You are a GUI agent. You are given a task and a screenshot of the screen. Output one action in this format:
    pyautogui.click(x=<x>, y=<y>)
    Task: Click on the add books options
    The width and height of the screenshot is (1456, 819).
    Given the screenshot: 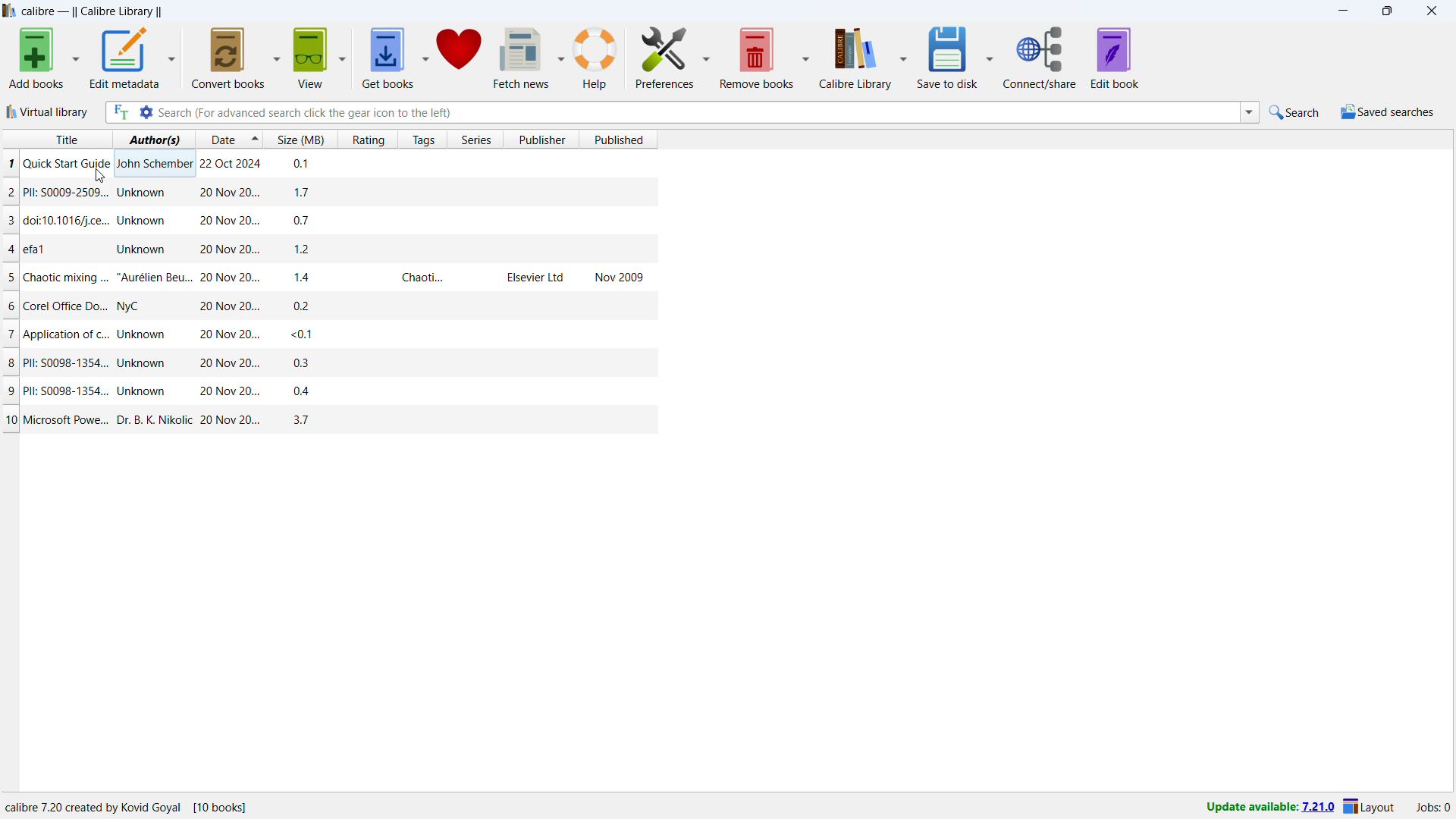 What is the action you would take?
    pyautogui.click(x=75, y=57)
    